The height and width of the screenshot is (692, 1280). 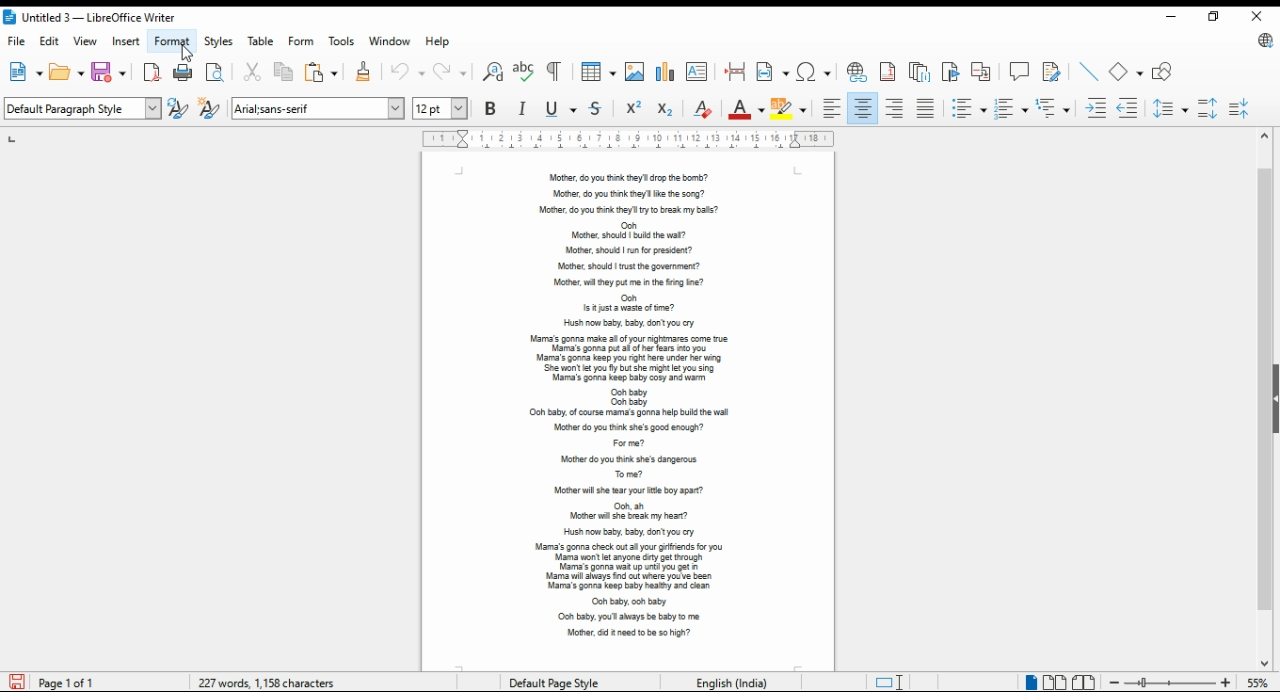 I want to click on scroll bar, so click(x=1264, y=399).